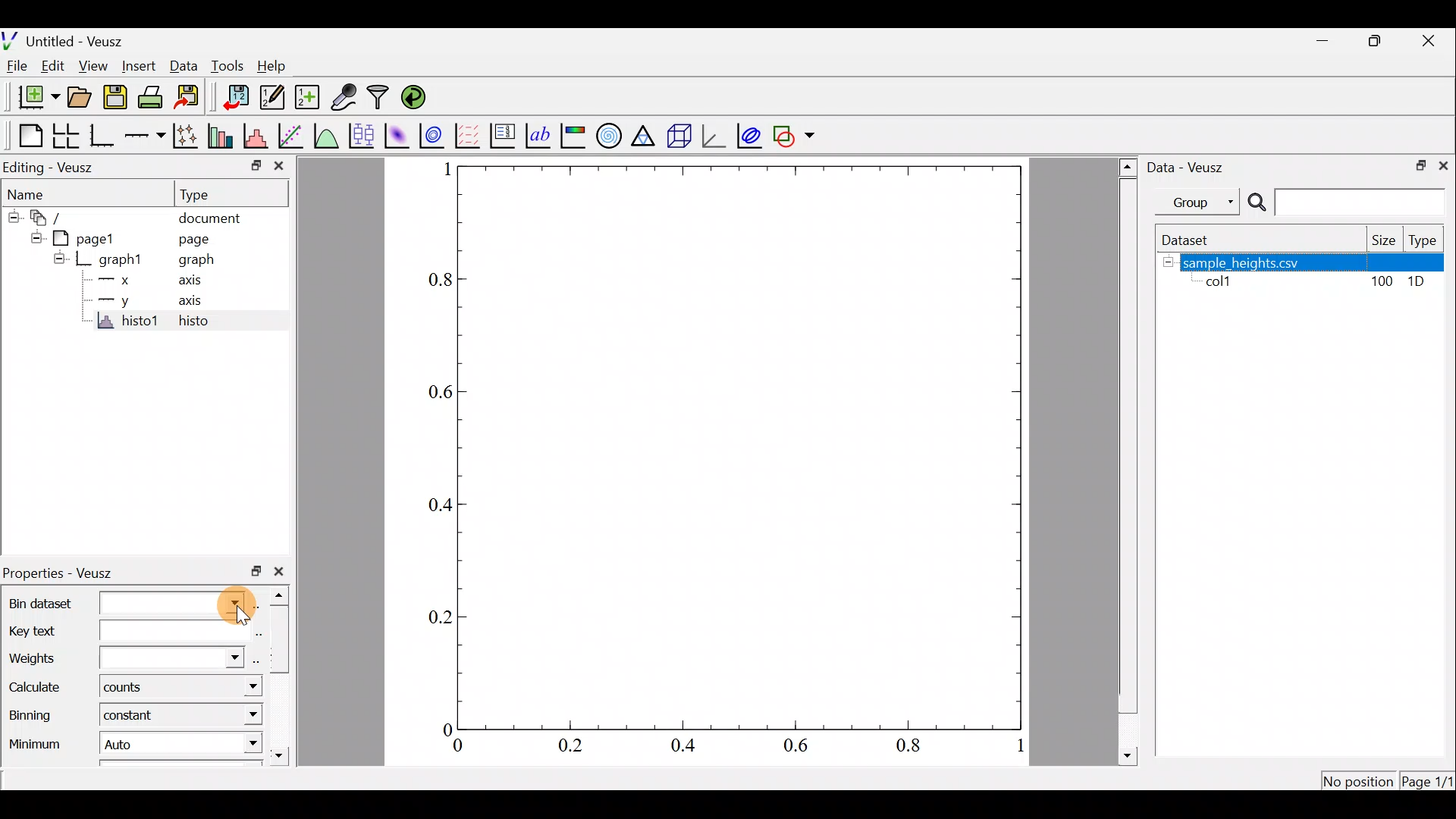 The image size is (1456, 819). Describe the element at coordinates (126, 742) in the screenshot. I see `Auto` at that location.